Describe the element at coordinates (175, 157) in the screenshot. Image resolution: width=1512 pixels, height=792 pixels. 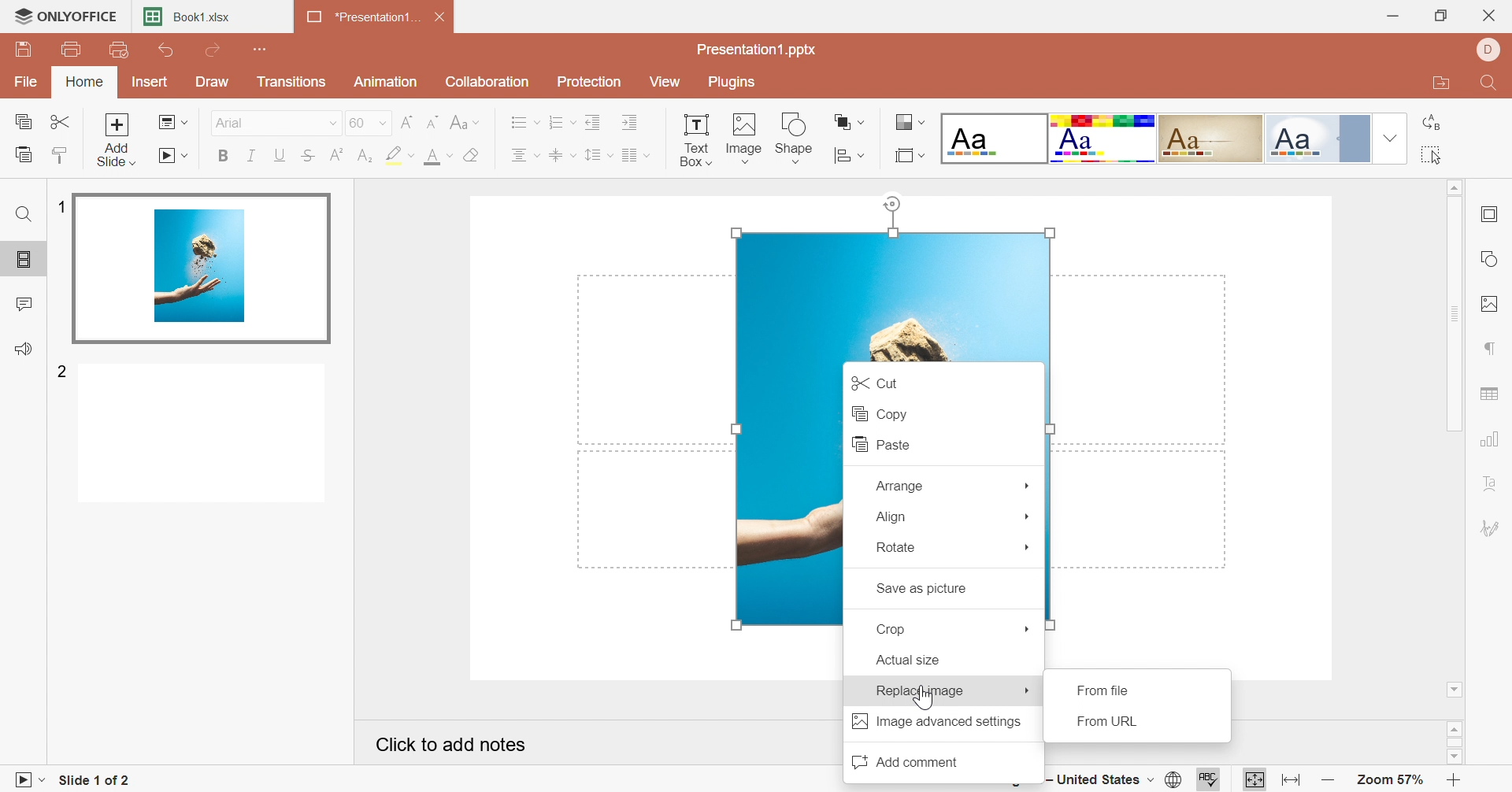
I see `Start slideshow` at that location.